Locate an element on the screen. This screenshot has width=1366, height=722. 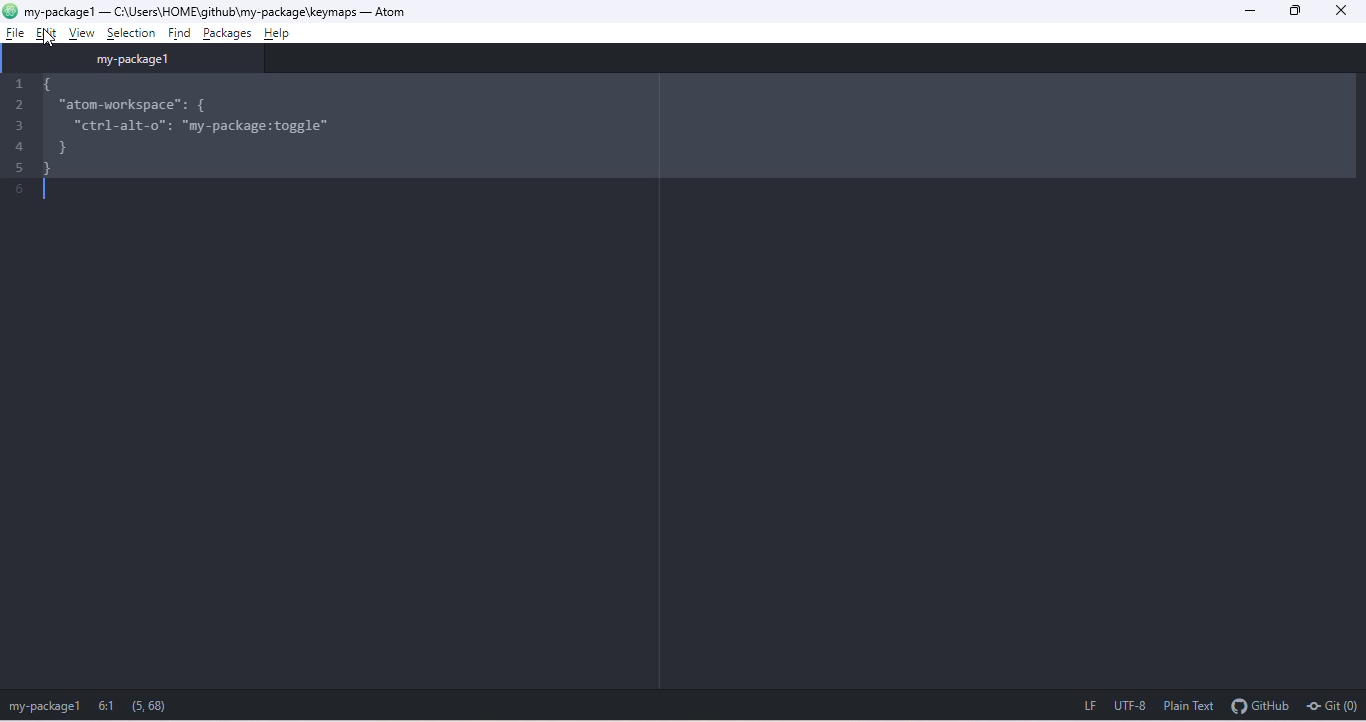
 c:\users\home\github\my package\keymaps-atom is located at coordinates (231, 10).